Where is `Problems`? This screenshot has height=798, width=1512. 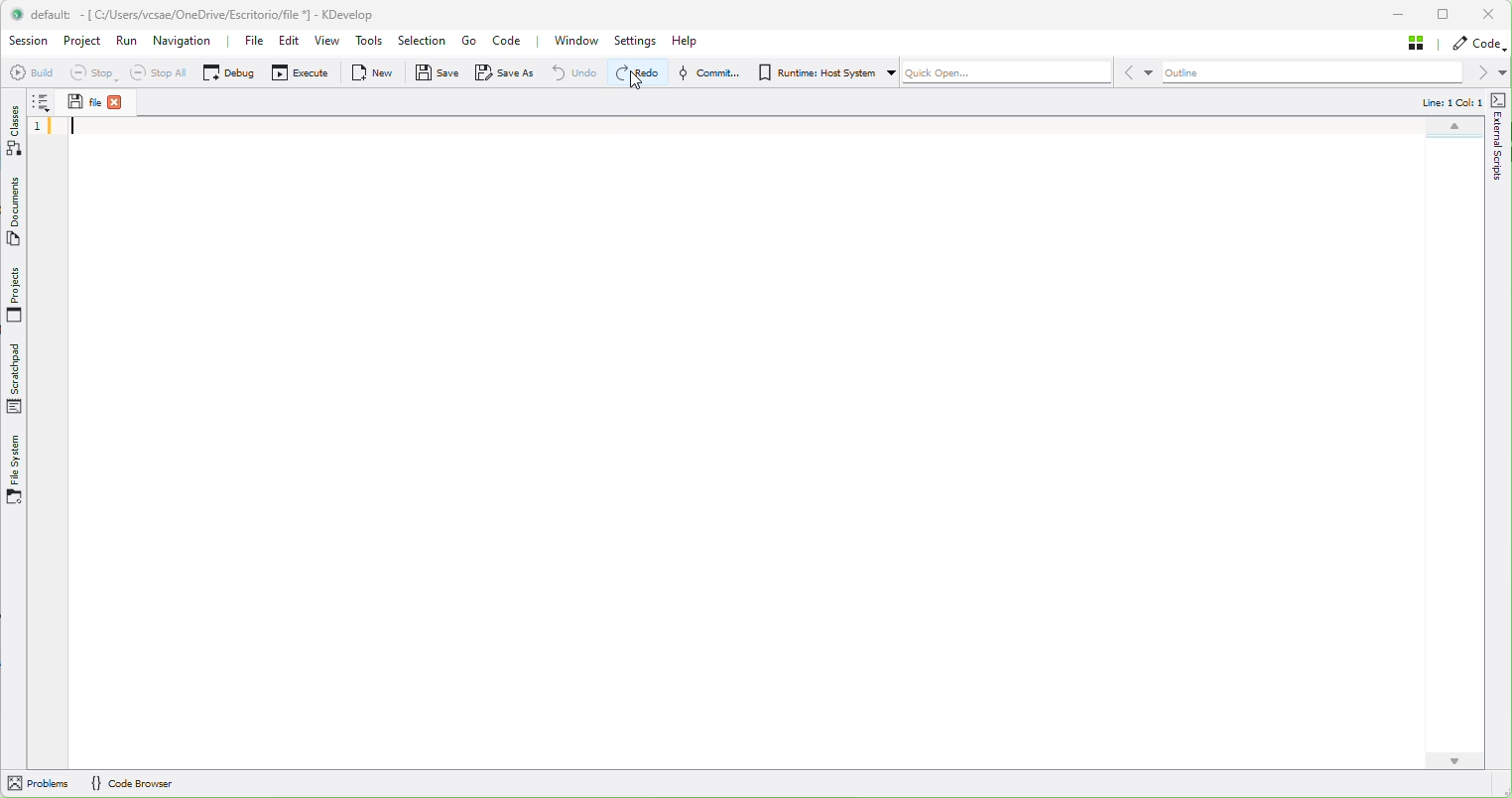 Problems is located at coordinates (44, 783).